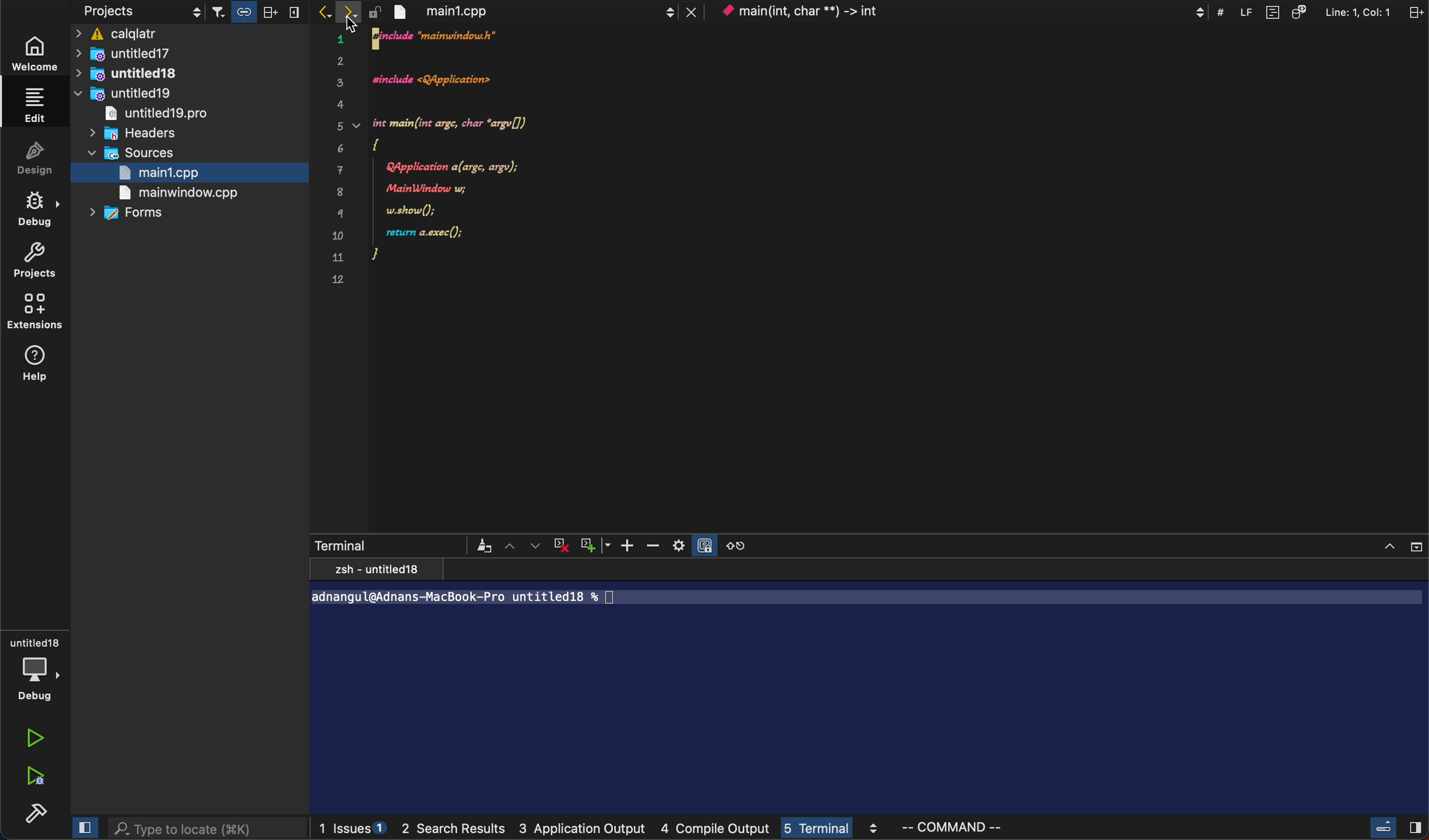 Image resolution: width=1429 pixels, height=840 pixels. I want to click on debug, so click(37, 206).